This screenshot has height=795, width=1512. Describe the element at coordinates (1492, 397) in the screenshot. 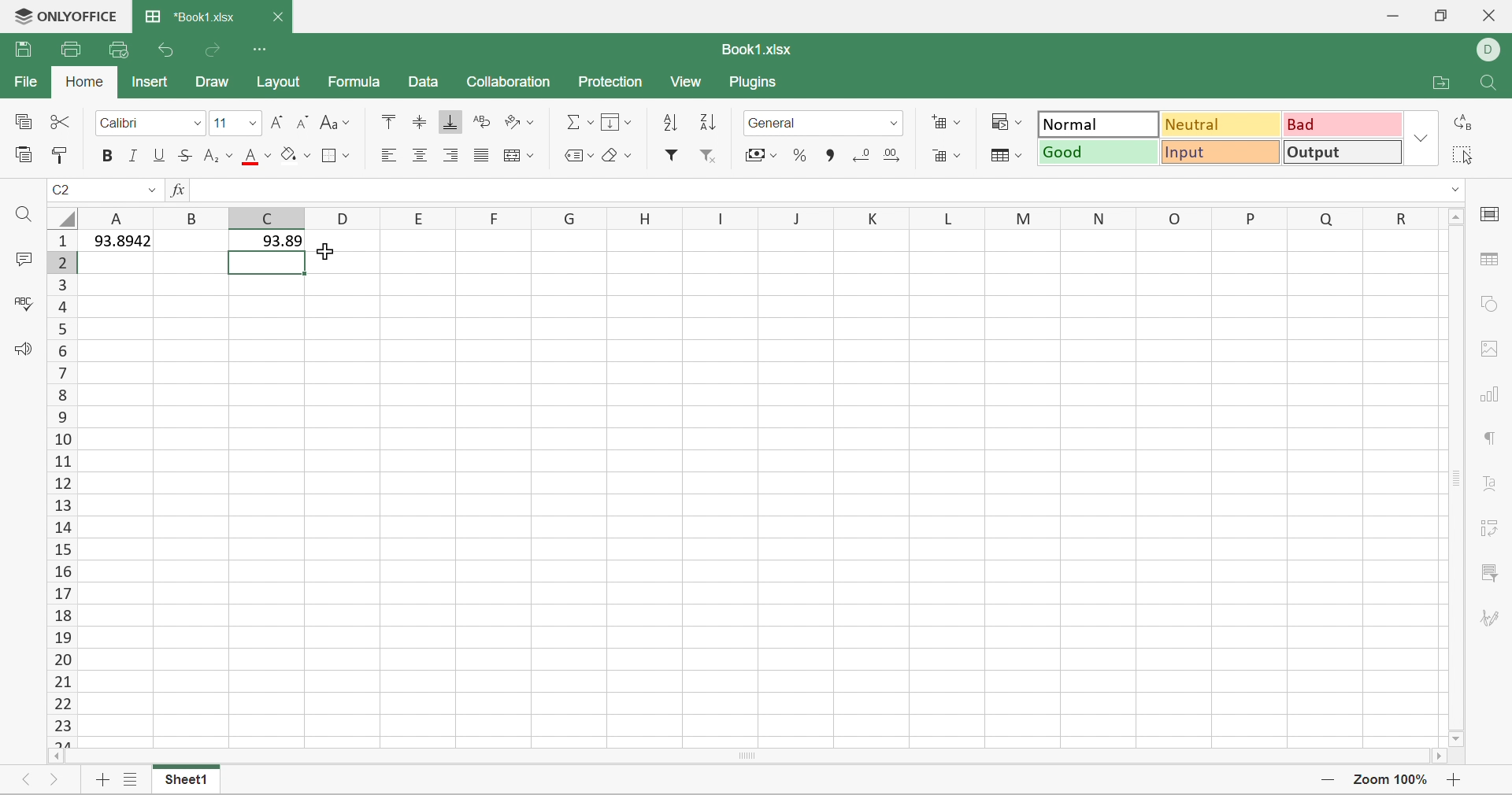

I see `Chart settings` at that location.